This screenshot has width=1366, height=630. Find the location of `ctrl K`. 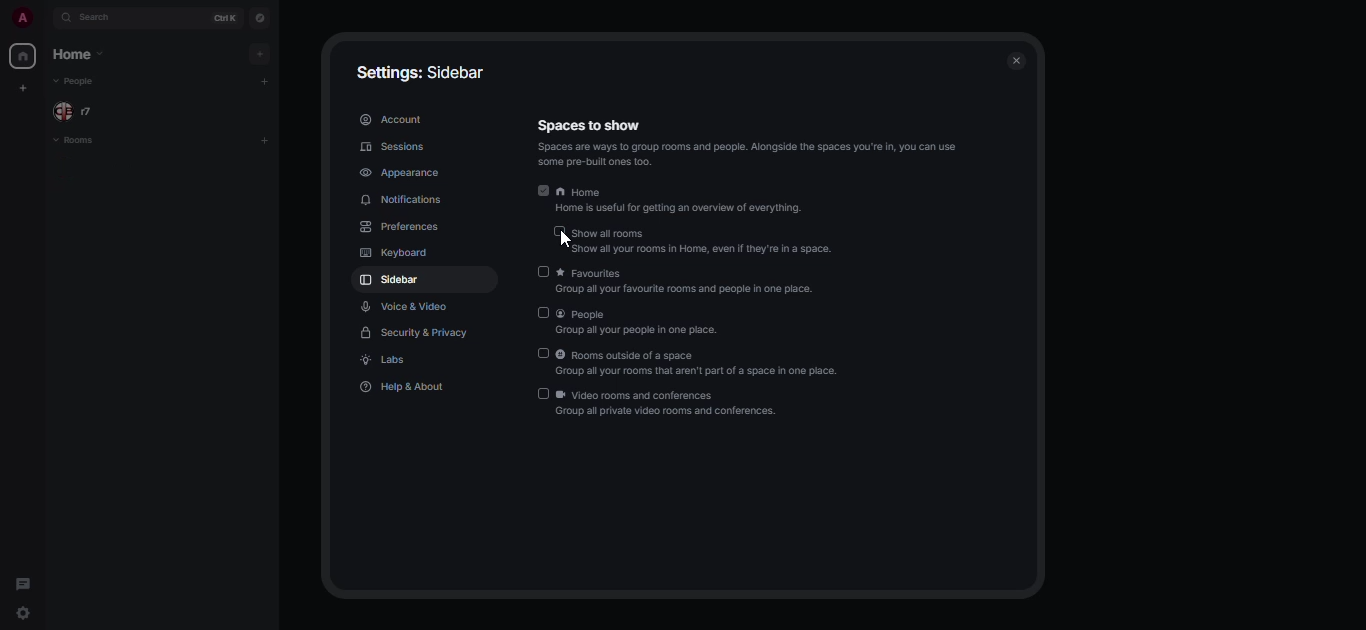

ctrl K is located at coordinates (221, 18).